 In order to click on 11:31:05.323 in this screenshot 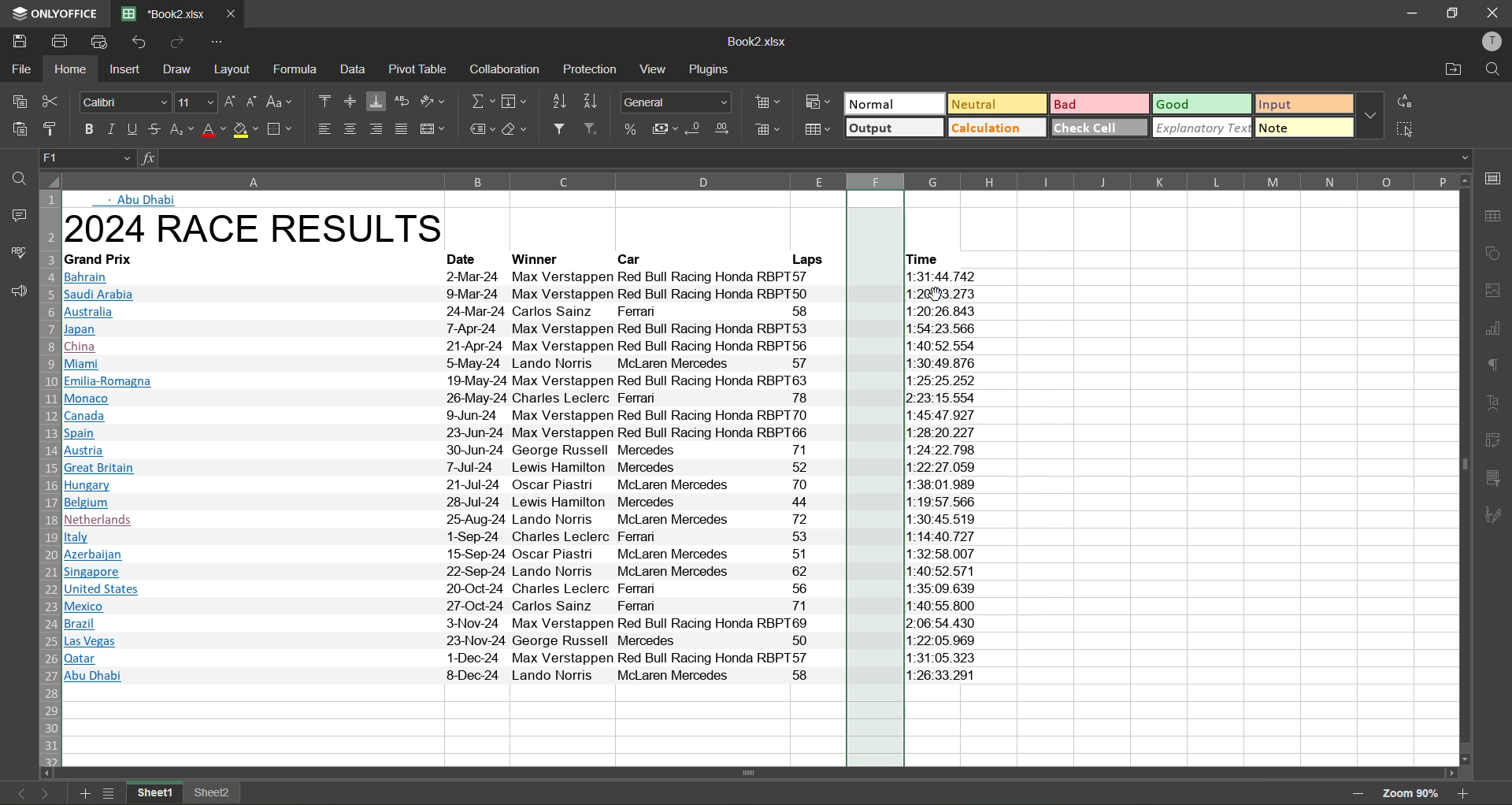, I will do `click(942, 658)`.